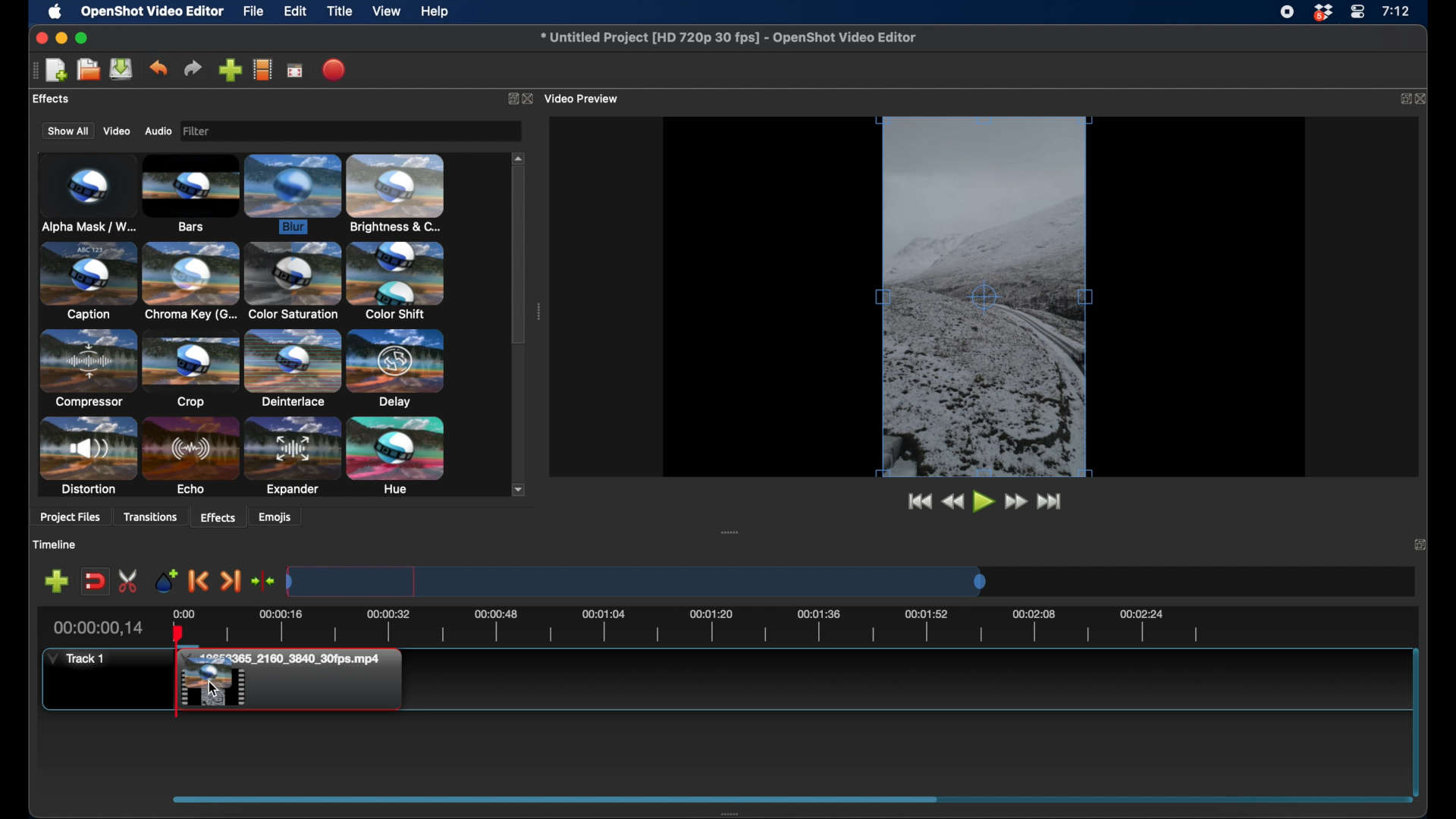  I want to click on timeline, so click(707, 629).